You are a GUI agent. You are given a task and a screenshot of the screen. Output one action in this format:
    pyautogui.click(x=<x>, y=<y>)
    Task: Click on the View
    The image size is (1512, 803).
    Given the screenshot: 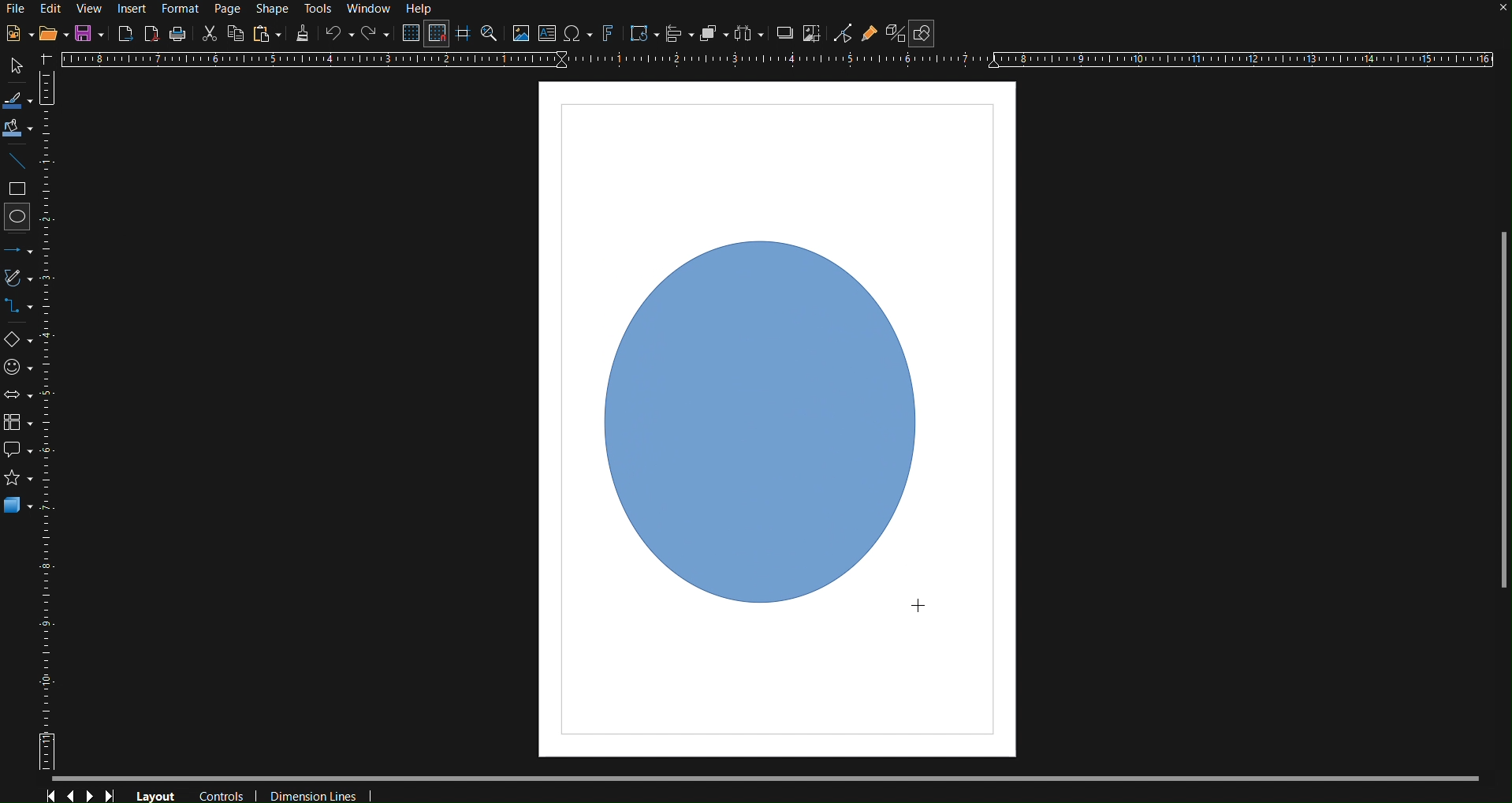 What is the action you would take?
    pyautogui.click(x=91, y=9)
    